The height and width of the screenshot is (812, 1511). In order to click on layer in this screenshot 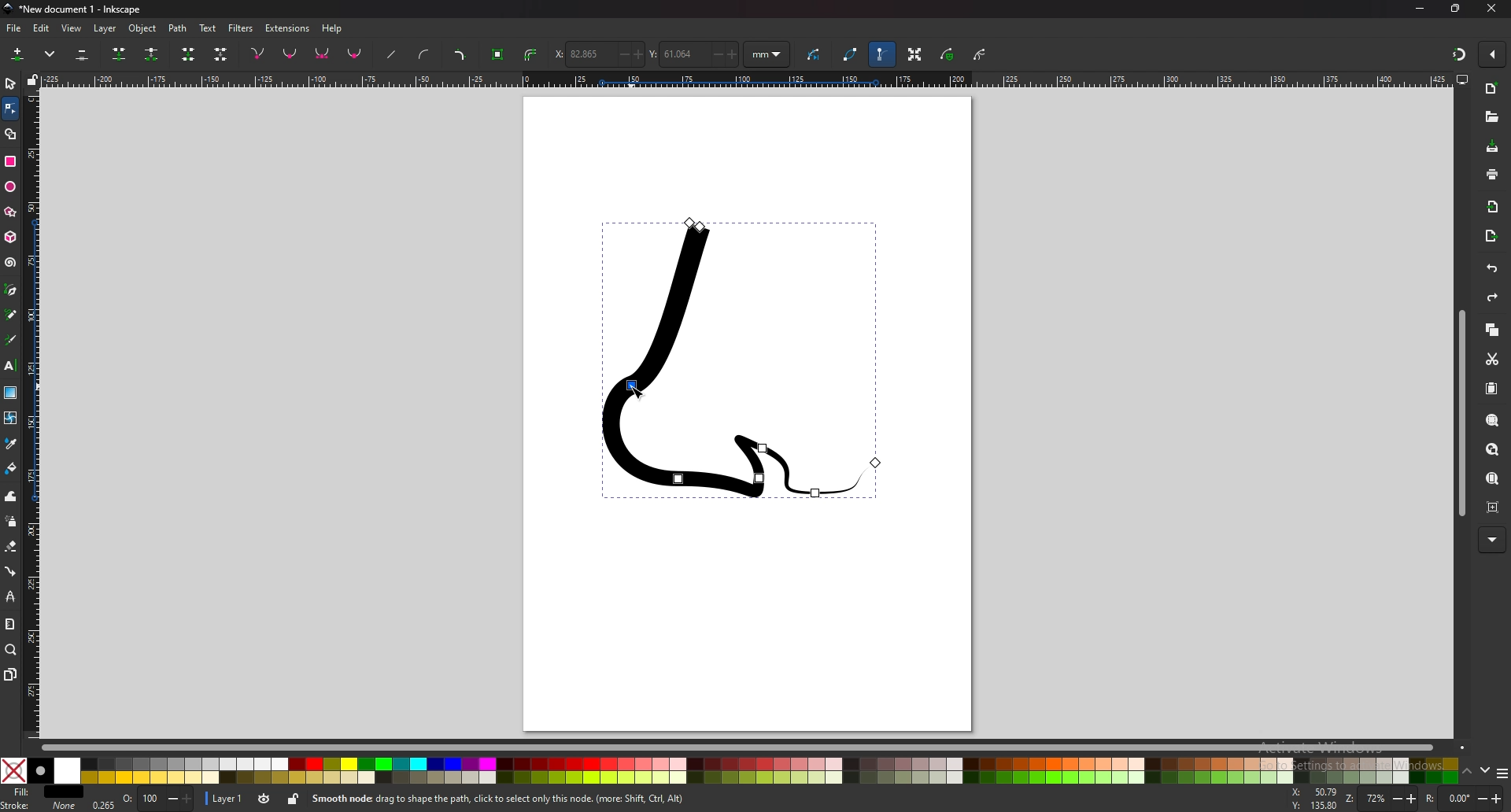, I will do `click(107, 28)`.